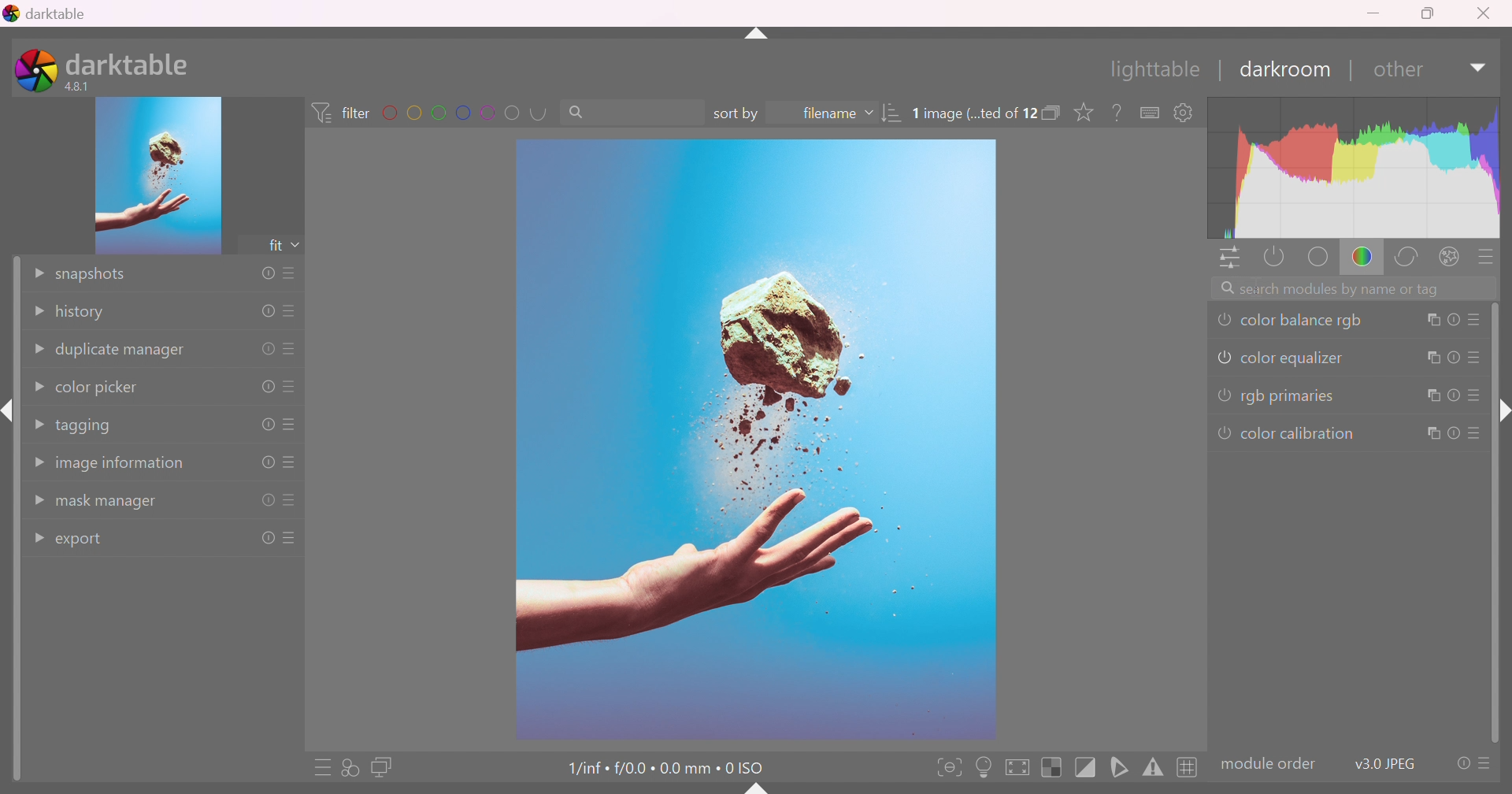 The height and width of the screenshot is (794, 1512). Describe the element at coordinates (1410, 258) in the screenshot. I see `correct` at that location.